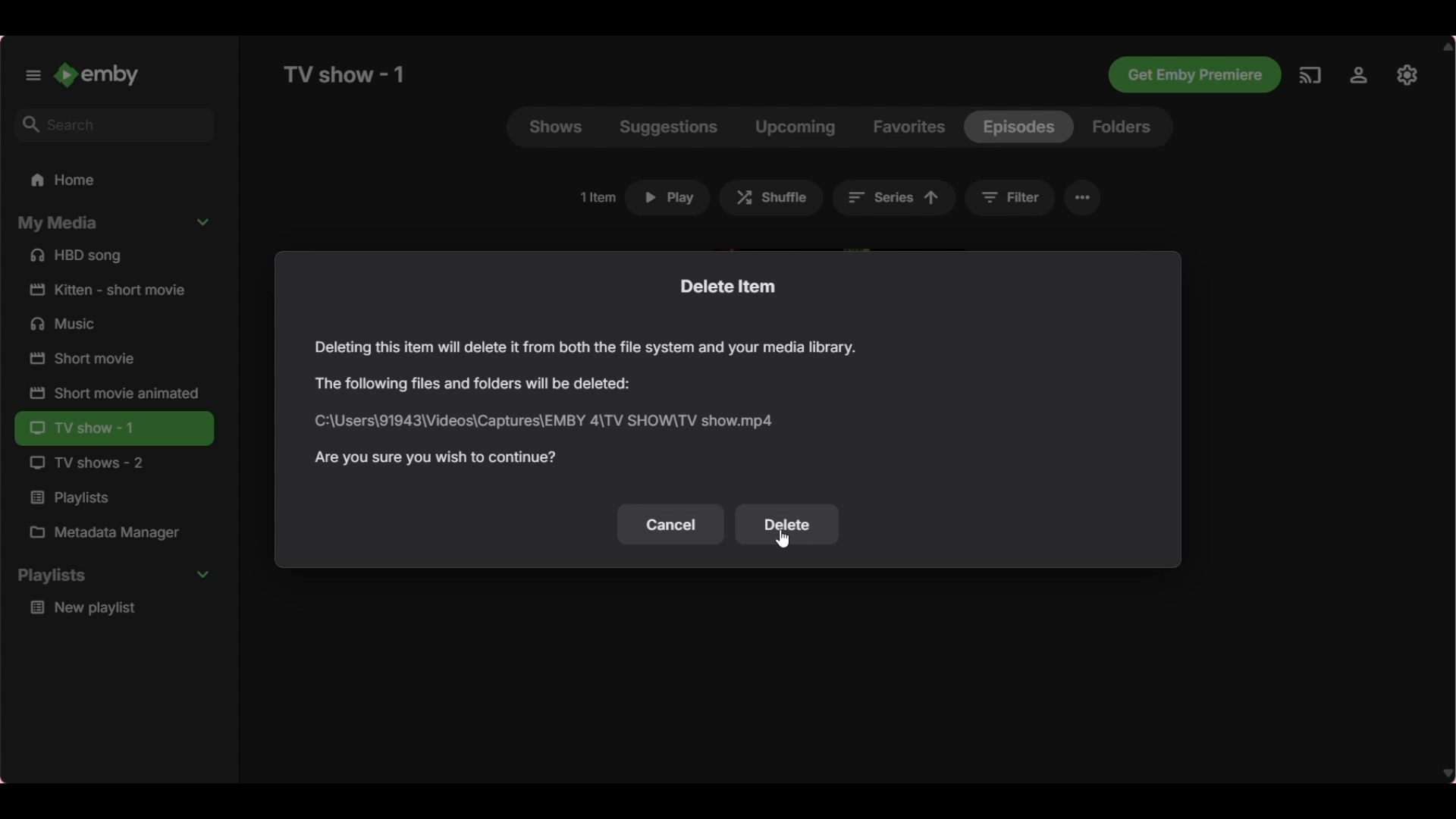 This screenshot has height=819, width=1456. What do you see at coordinates (115, 323) in the screenshot?
I see `Music` at bounding box center [115, 323].